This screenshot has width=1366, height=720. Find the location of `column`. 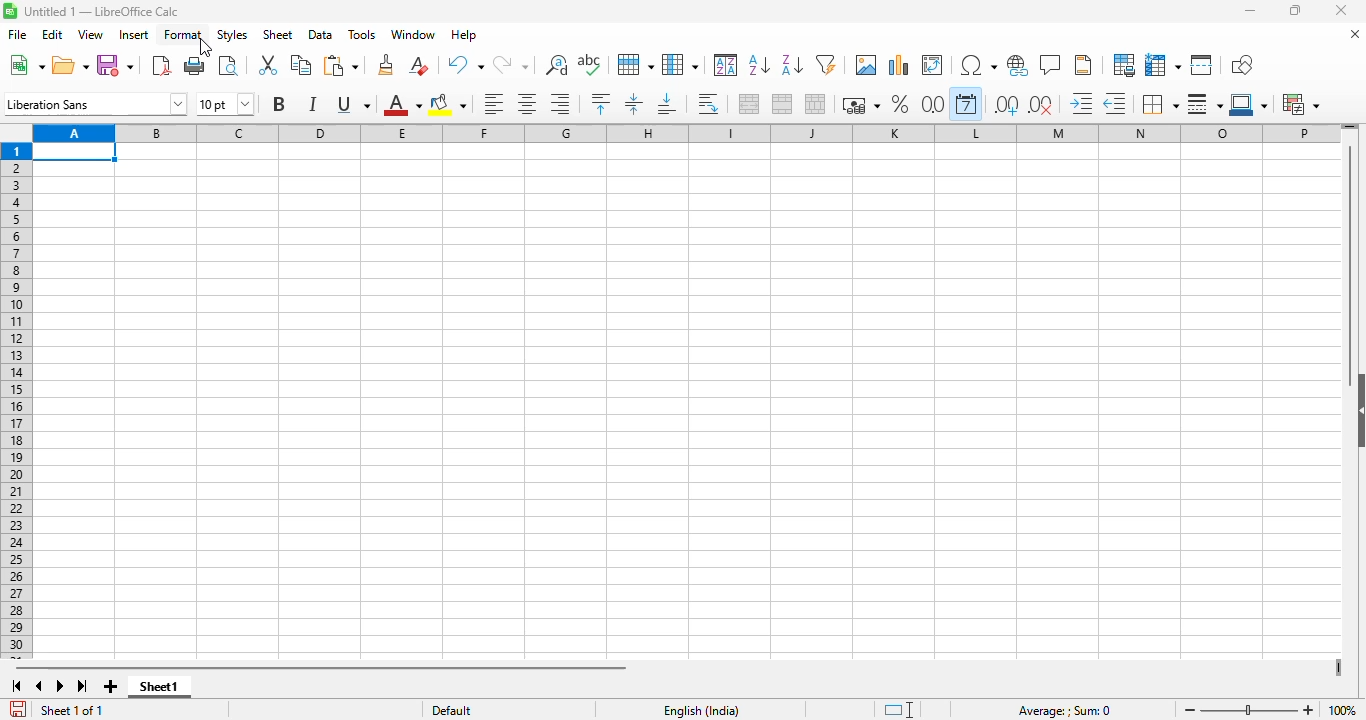

column is located at coordinates (680, 65).